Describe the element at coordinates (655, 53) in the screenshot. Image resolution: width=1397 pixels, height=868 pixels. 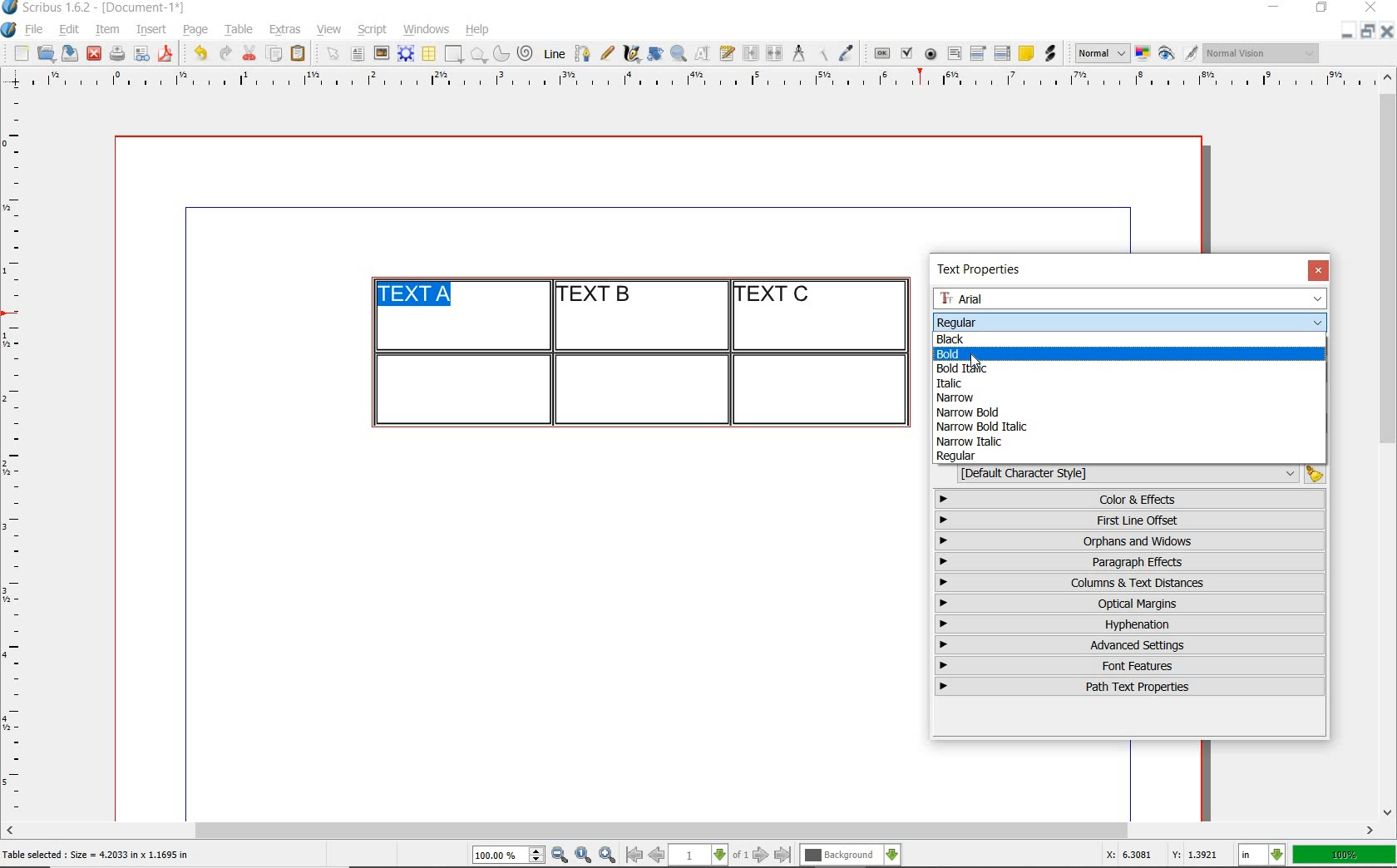
I see `rotate item` at that location.